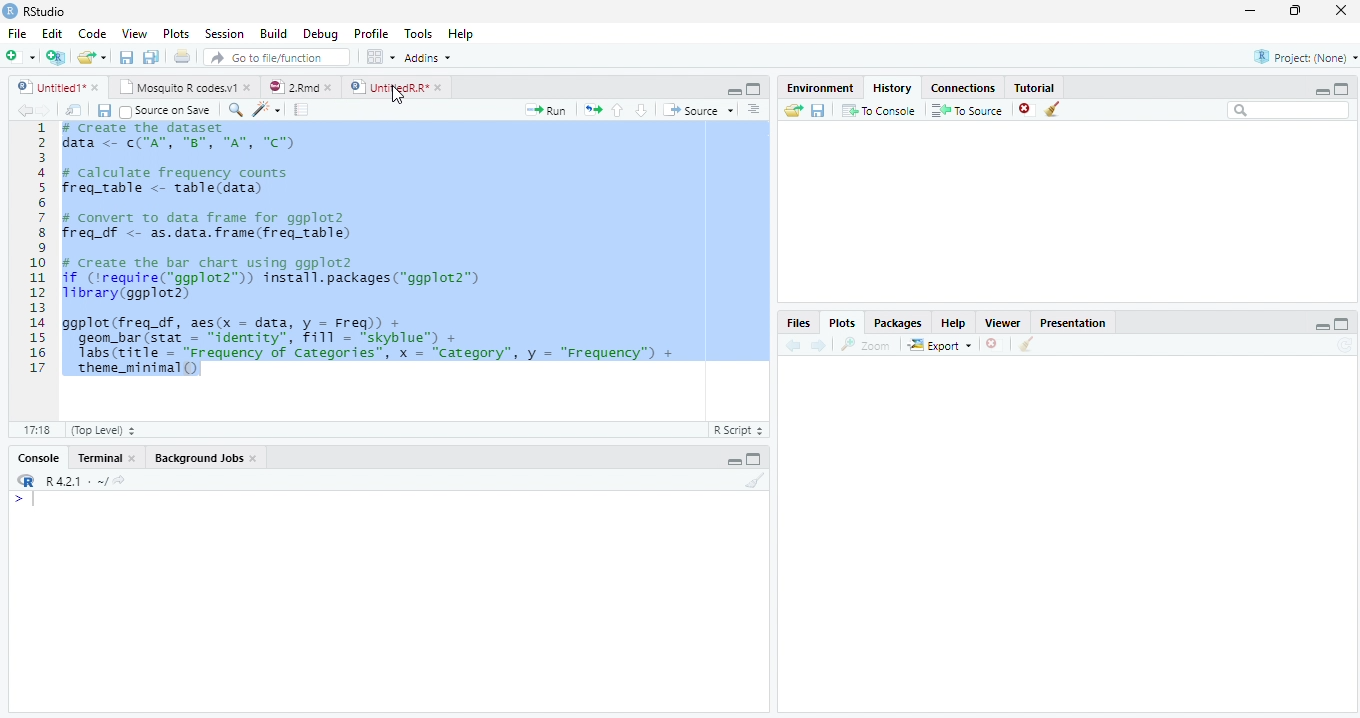 This screenshot has width=1360, height=718. I want to click on Print, so click(182, 58).